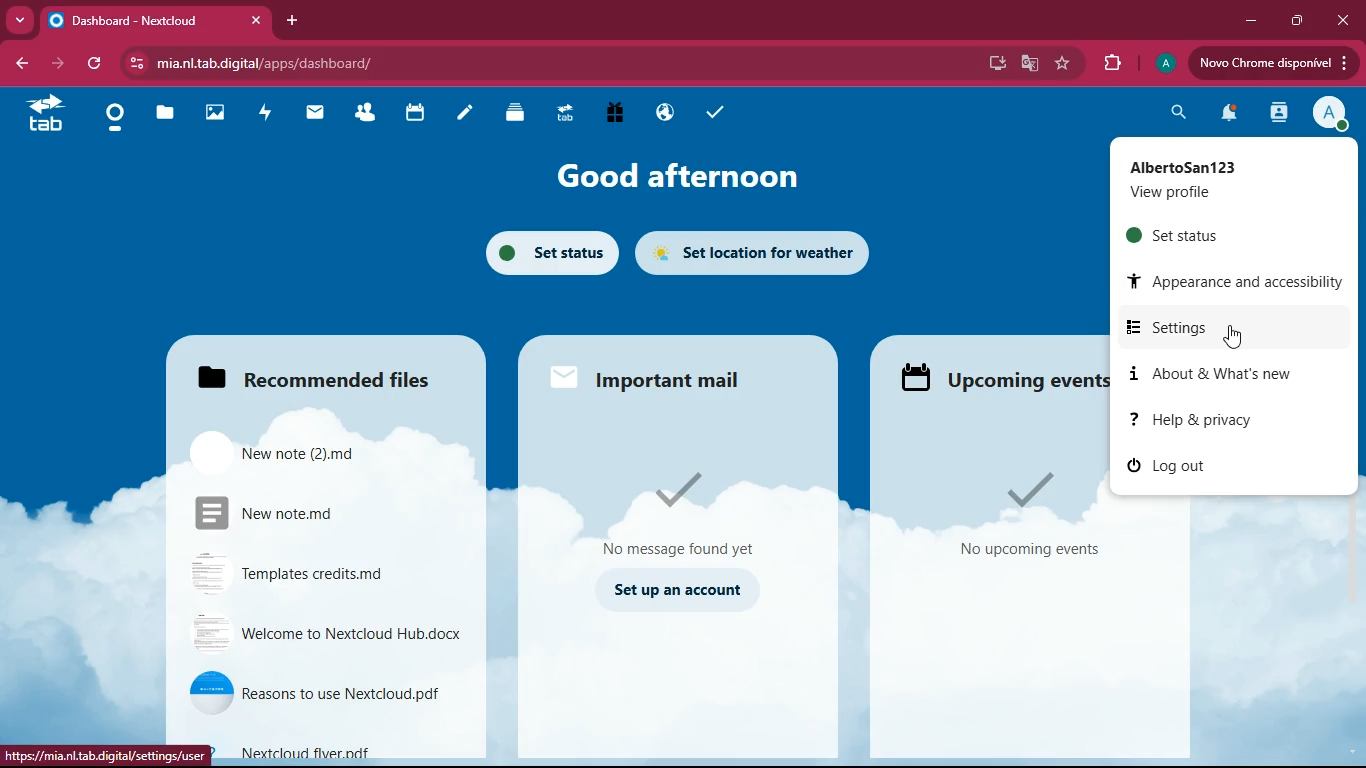 The width and height of the screenshot is (1366, 768). What do you see at coordinates (340, 63) in the screenshot?
I see `url` at bounding box center [340, 63].